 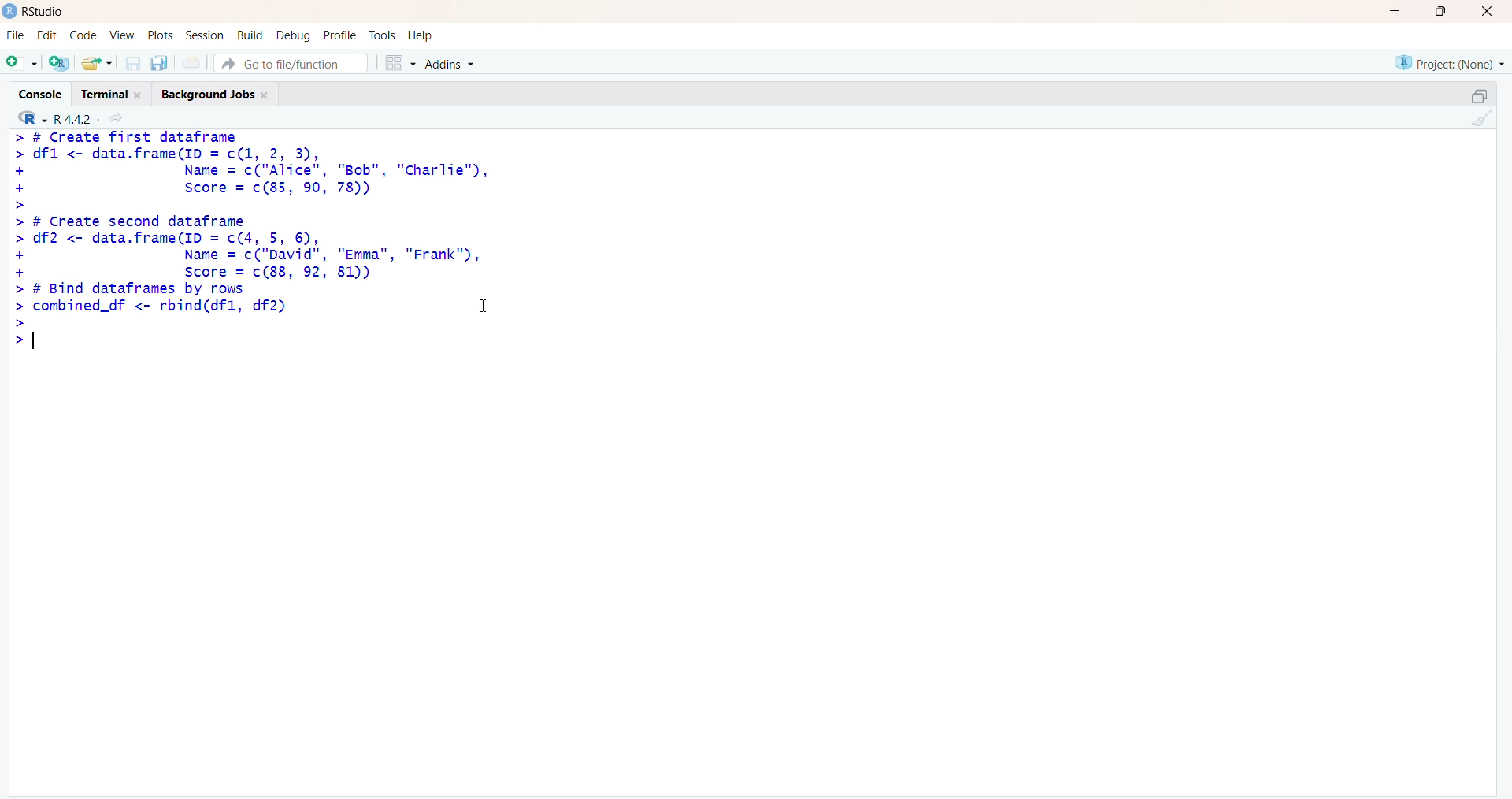 I want to click on cursor, so click(x=486, y=304).